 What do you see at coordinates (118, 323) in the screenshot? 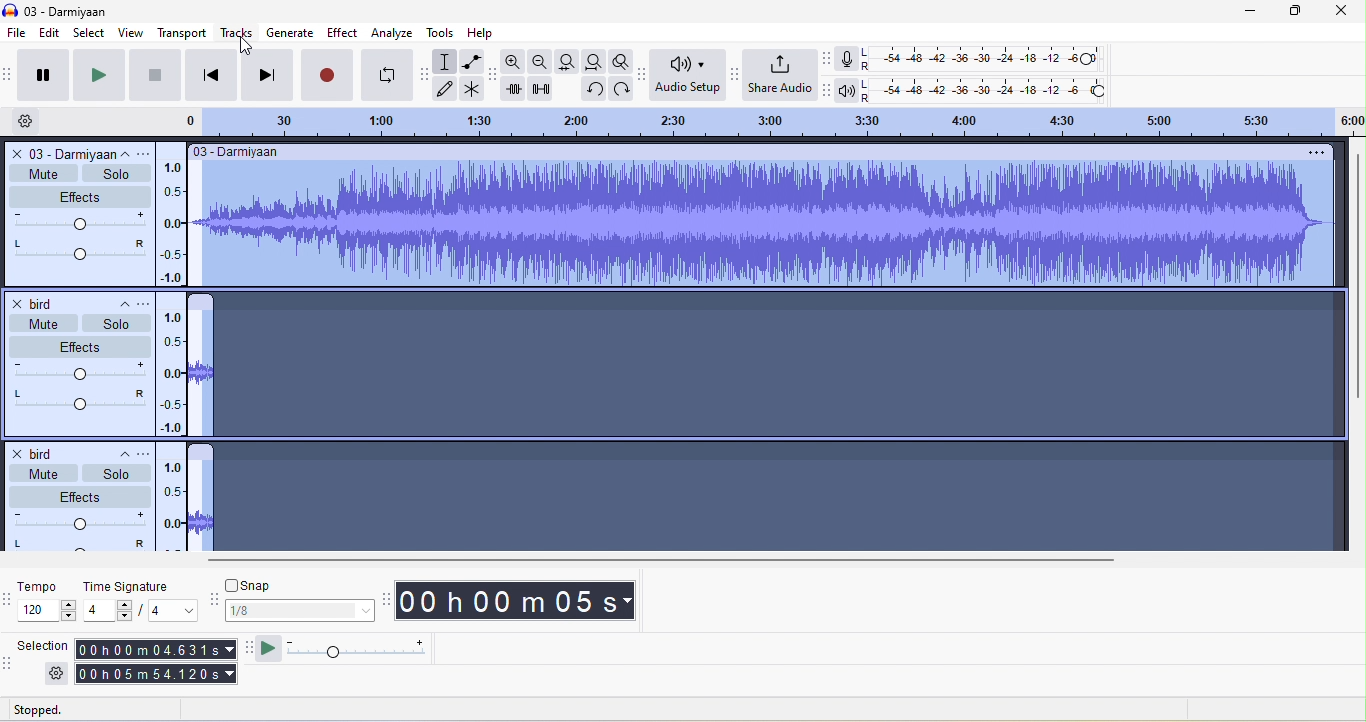
I see `solo` at bounding box center [118, 323].